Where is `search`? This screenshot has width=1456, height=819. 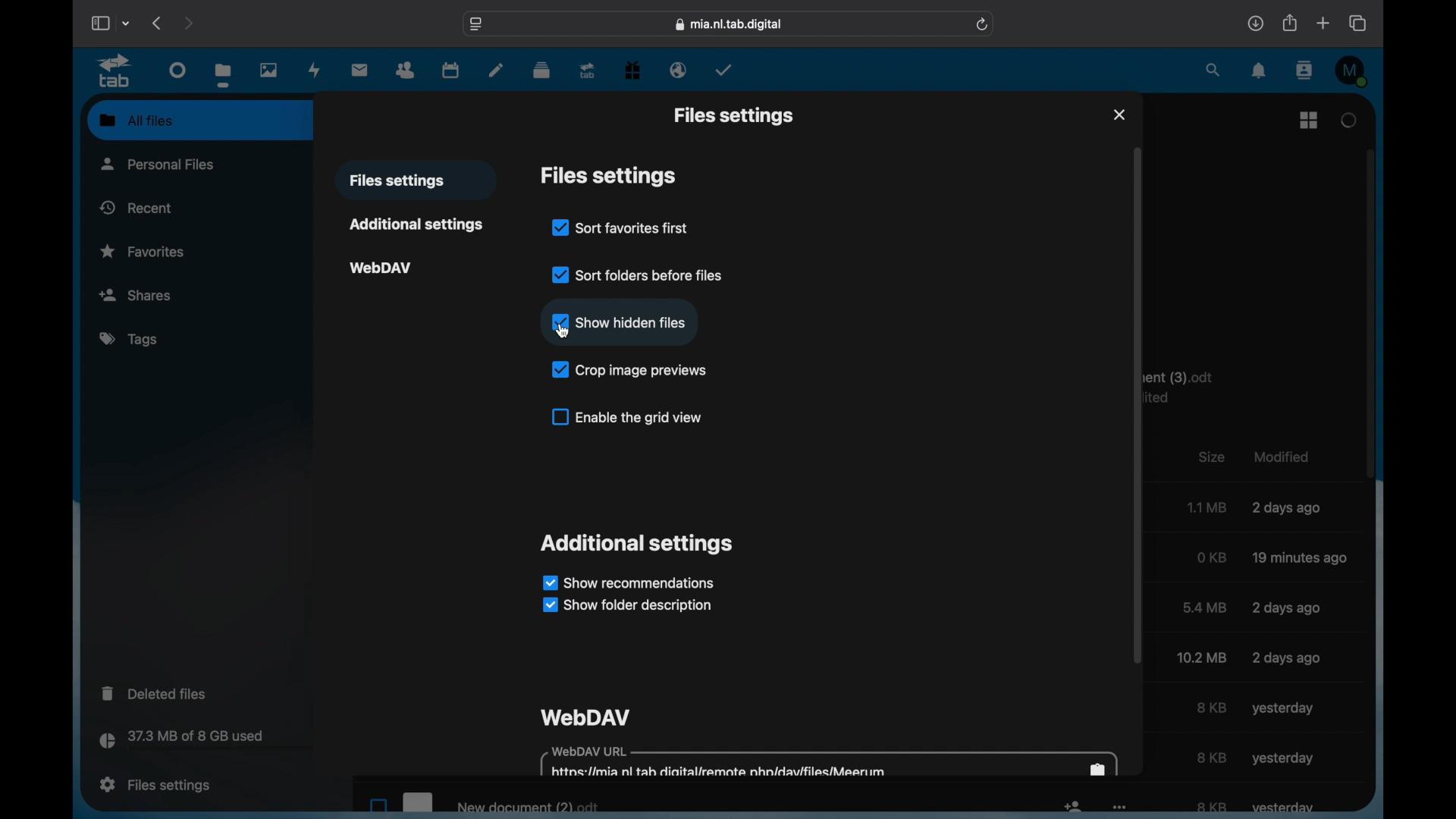 search is located at coordinates (1213, 71).